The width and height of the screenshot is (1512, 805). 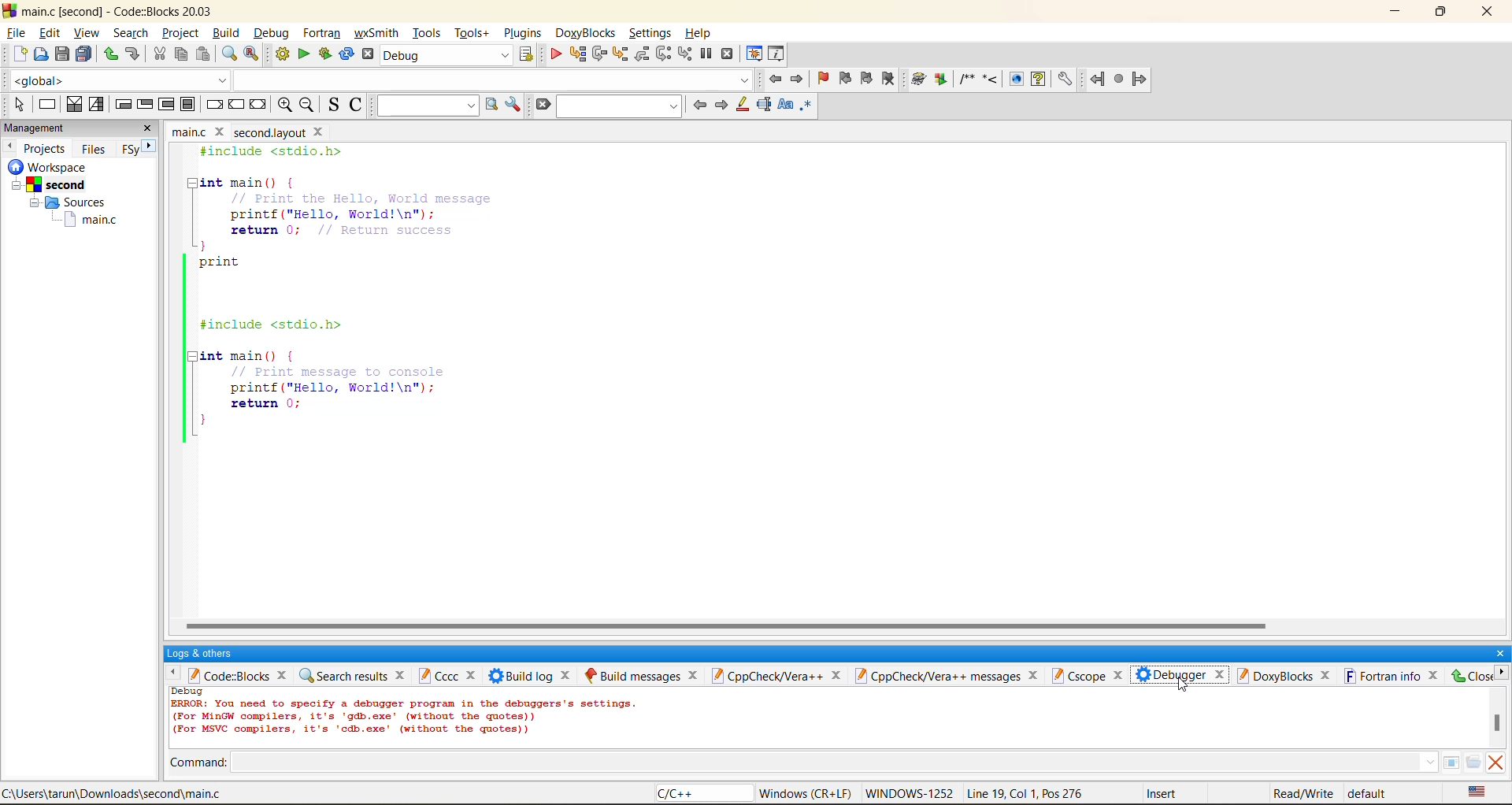 I want to click on abort, so click(x=368, y=56).